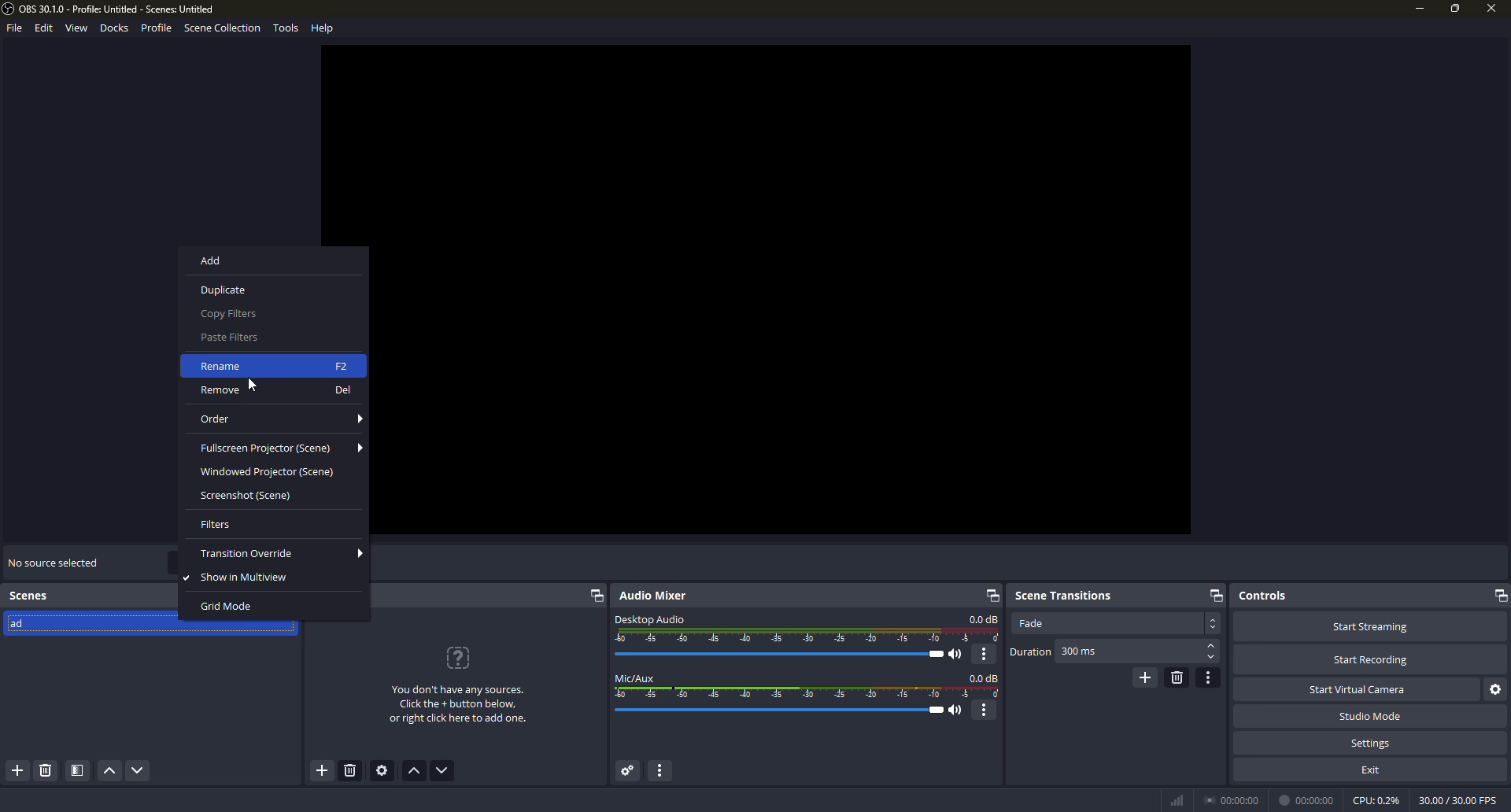 This screenshot has width=1511, height=812. I want to click on configure virtual camera, so click(1497, 689).